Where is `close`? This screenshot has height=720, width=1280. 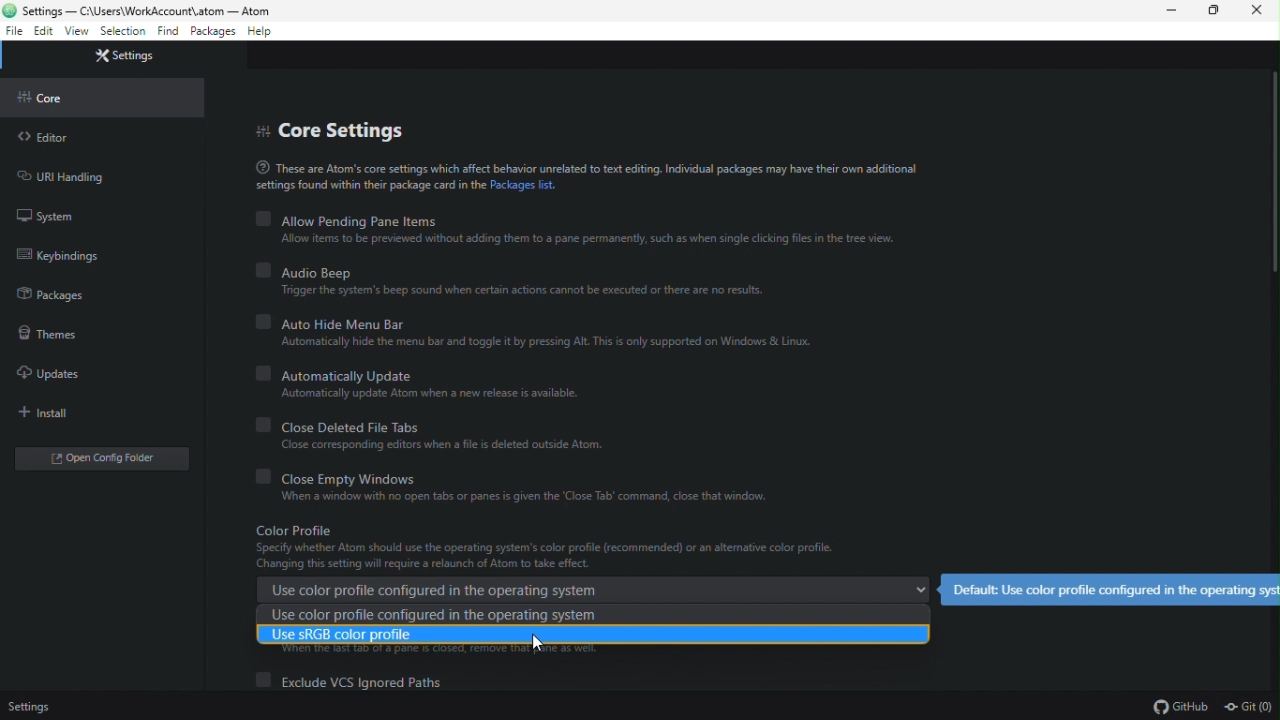
close is located at coordinates (1261, 14).